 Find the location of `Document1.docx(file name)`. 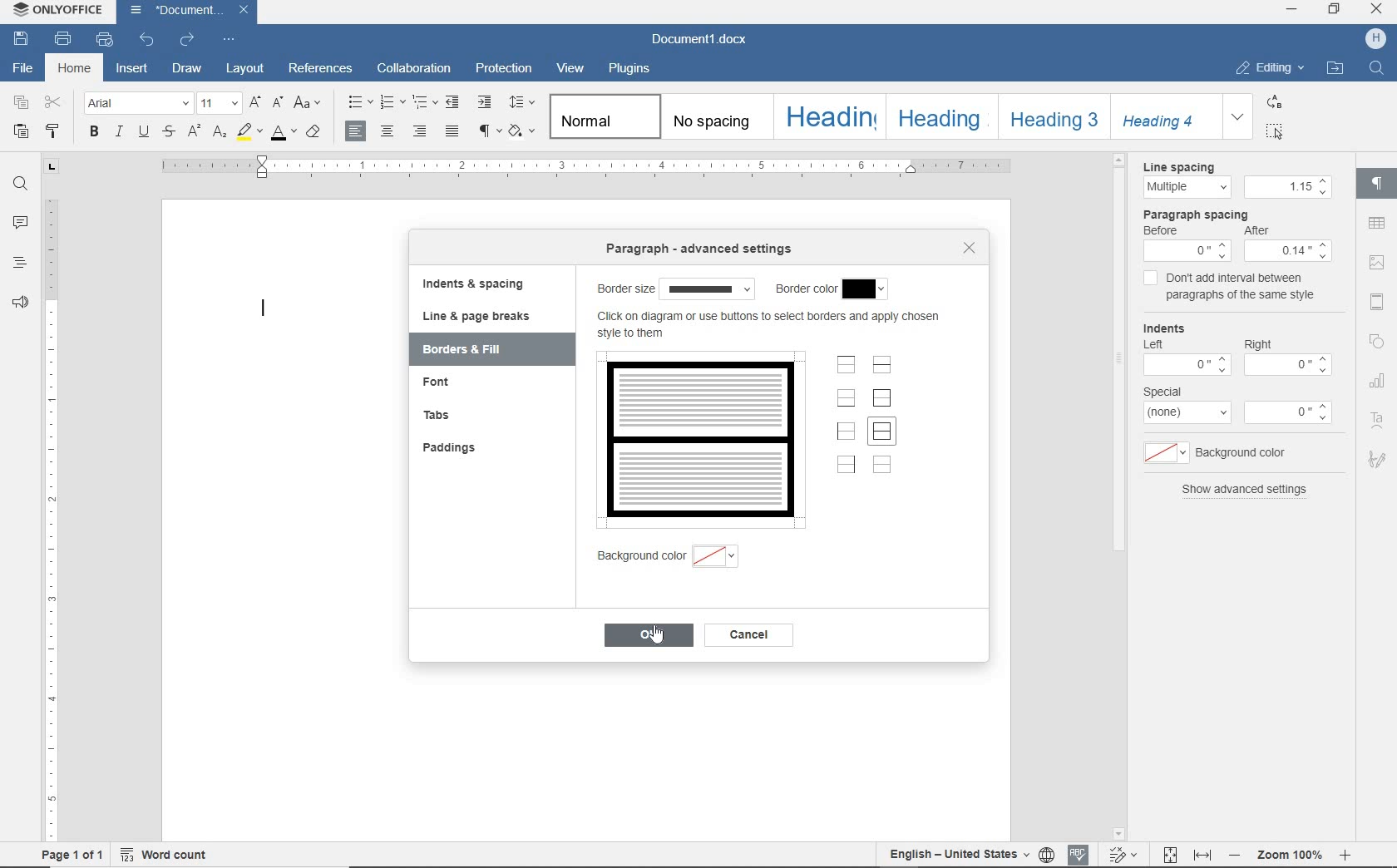

Document1.docx(file name) is located at coordinates (187, 11).